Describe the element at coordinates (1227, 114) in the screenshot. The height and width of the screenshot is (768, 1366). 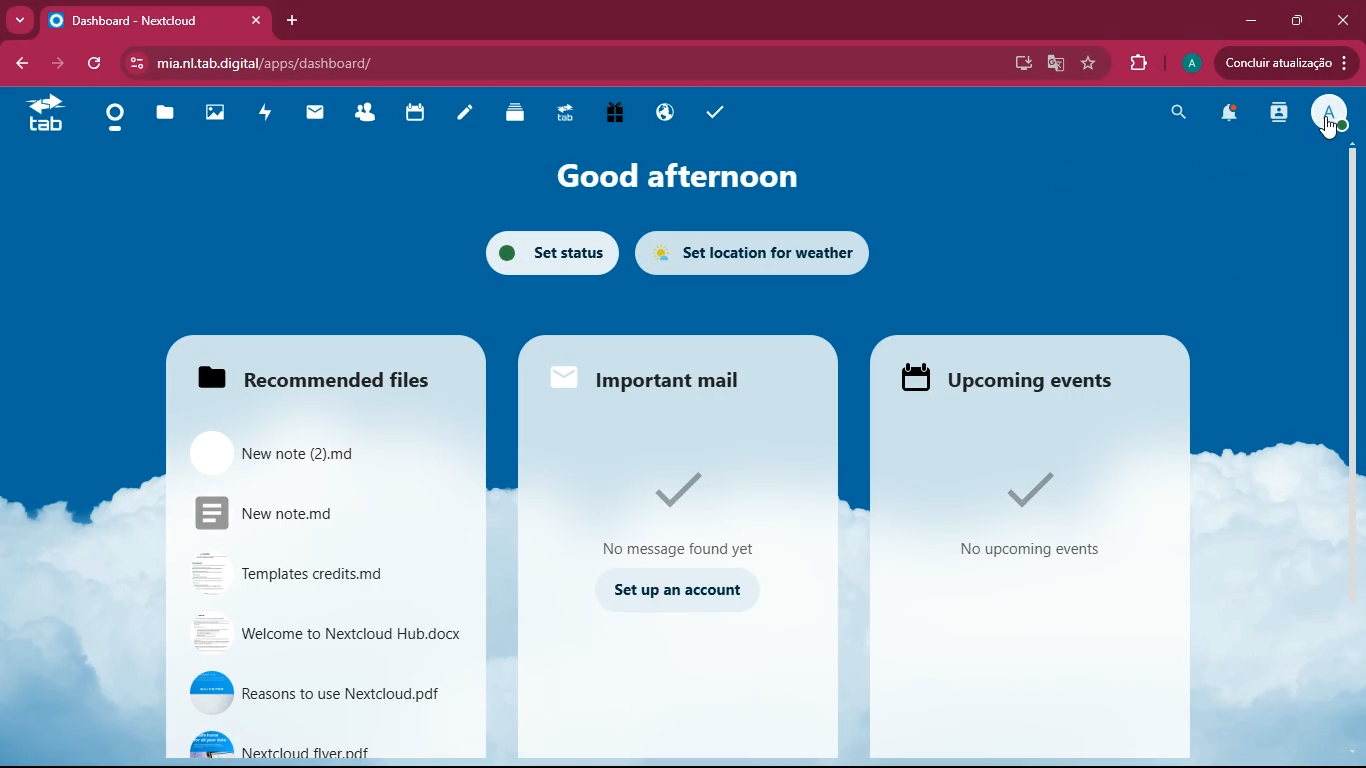
I see `notifications` at that location.